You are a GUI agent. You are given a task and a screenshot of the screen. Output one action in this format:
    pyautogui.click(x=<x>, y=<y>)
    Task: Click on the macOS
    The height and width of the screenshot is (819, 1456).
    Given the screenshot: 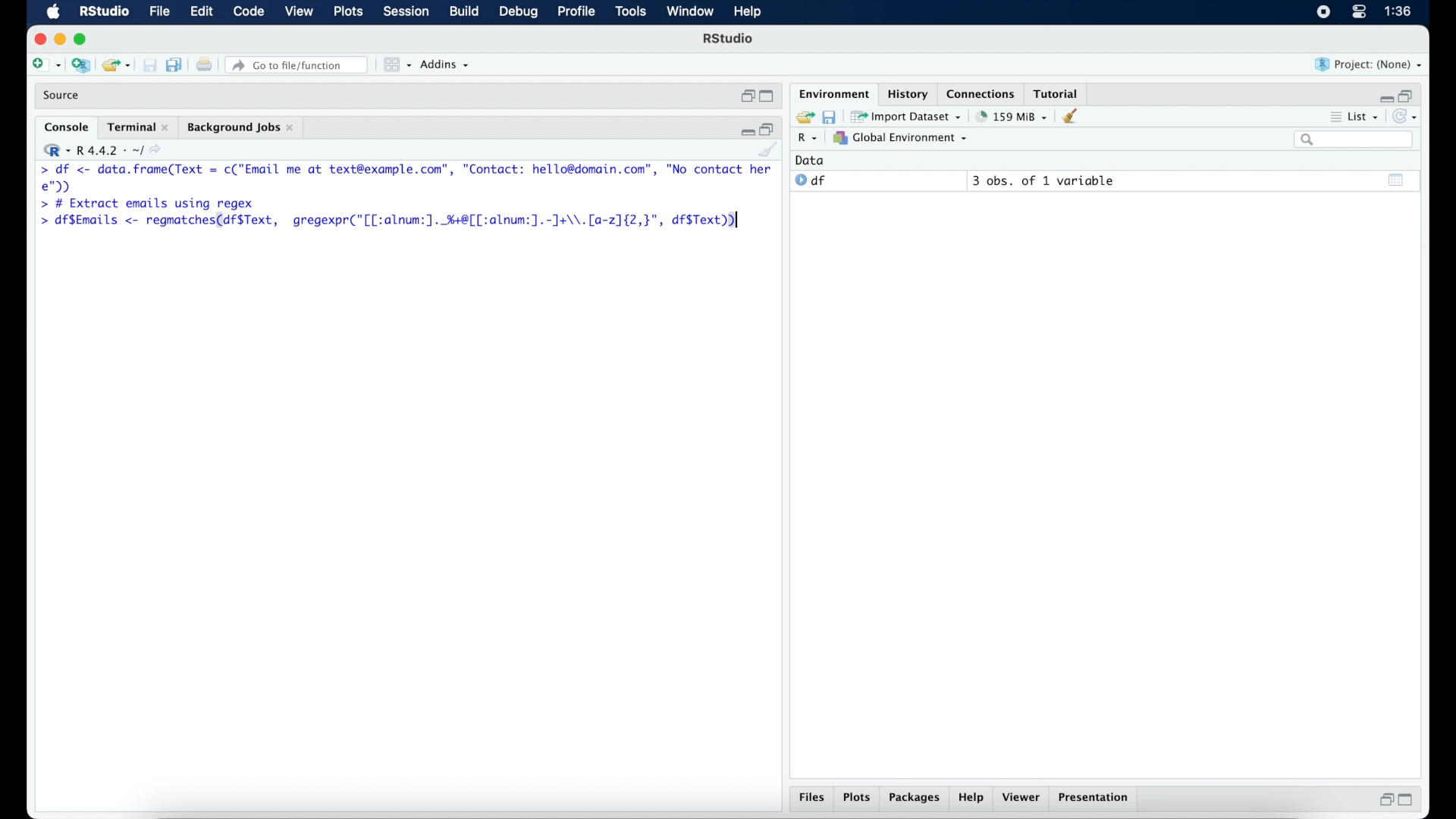 What is the action you would take?
    pyautogui.click(x=52, y=12)
    